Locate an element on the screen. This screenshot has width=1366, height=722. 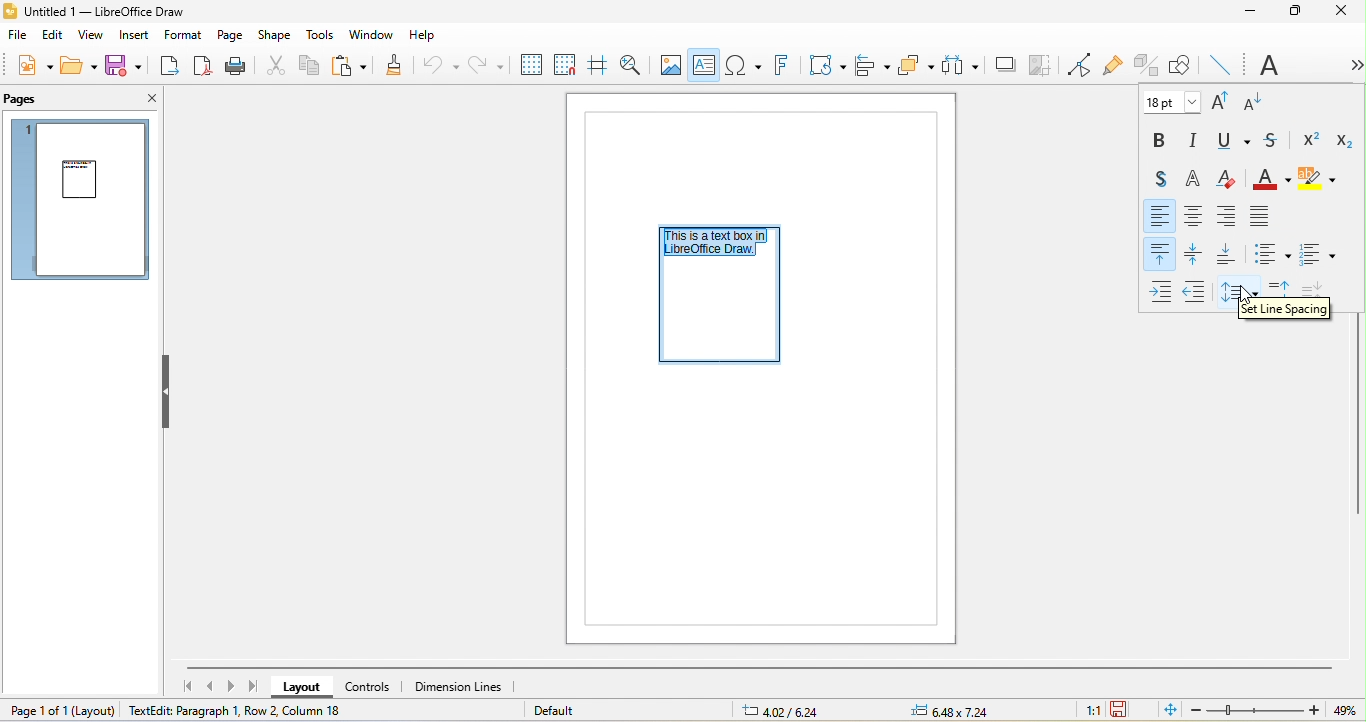
help is located at coordinates (424, 37).